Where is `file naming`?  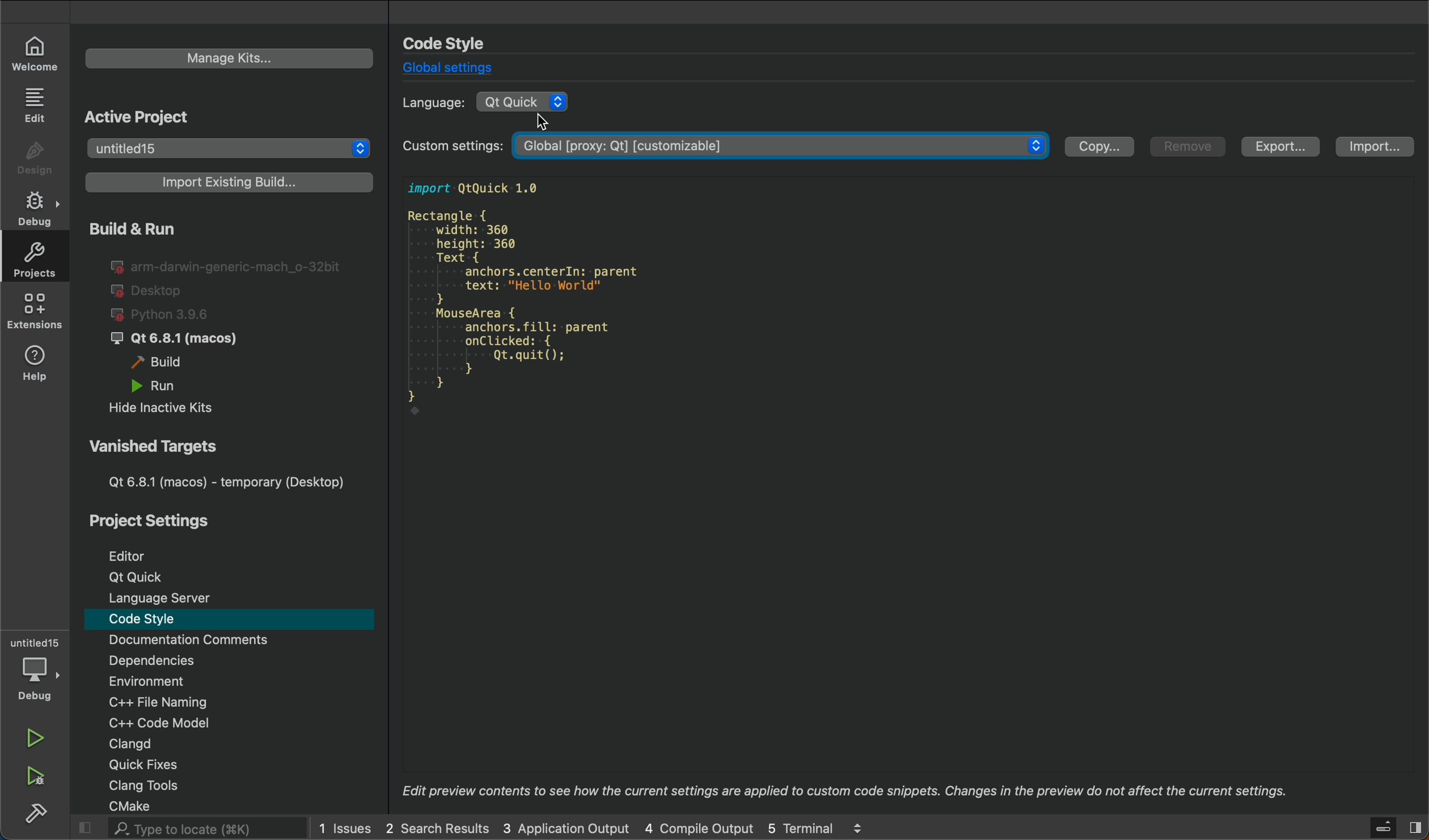 file naming is located at coordinates (172, 701).